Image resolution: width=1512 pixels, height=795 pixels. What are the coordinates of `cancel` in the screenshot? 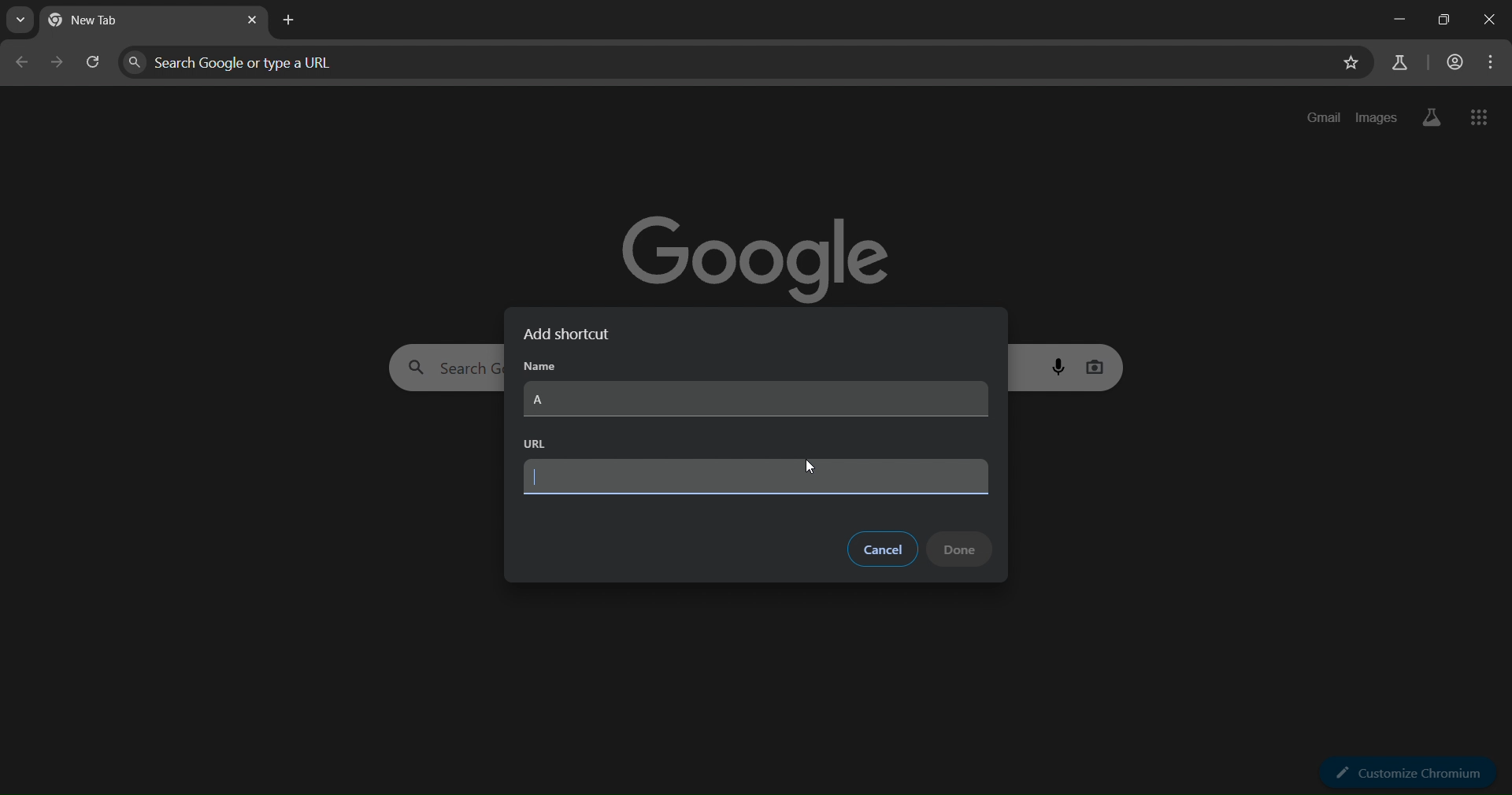 It's located at (884, 547).